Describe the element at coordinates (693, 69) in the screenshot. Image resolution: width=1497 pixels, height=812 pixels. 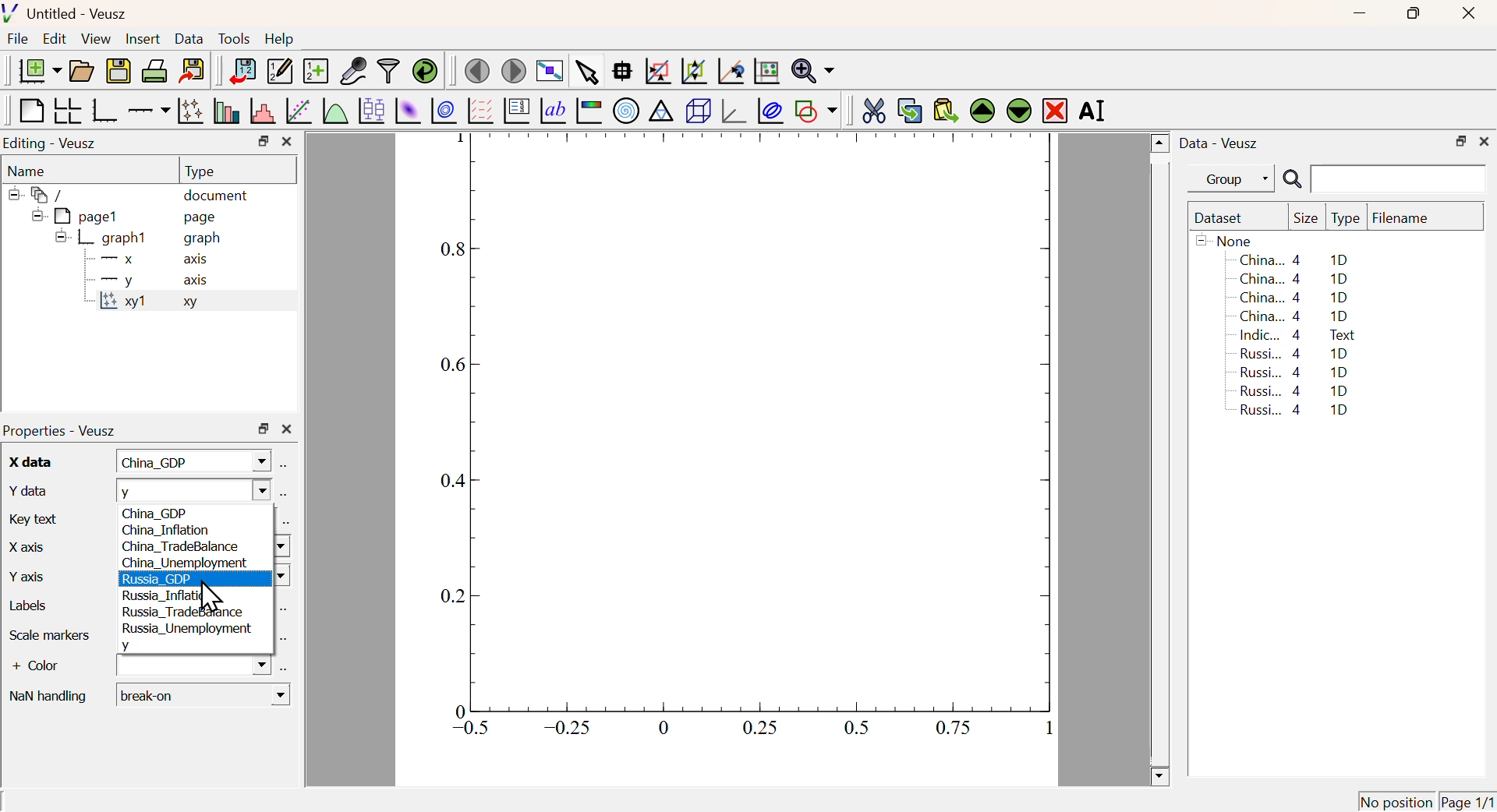
I see `Zoom out graph axis` at that location.